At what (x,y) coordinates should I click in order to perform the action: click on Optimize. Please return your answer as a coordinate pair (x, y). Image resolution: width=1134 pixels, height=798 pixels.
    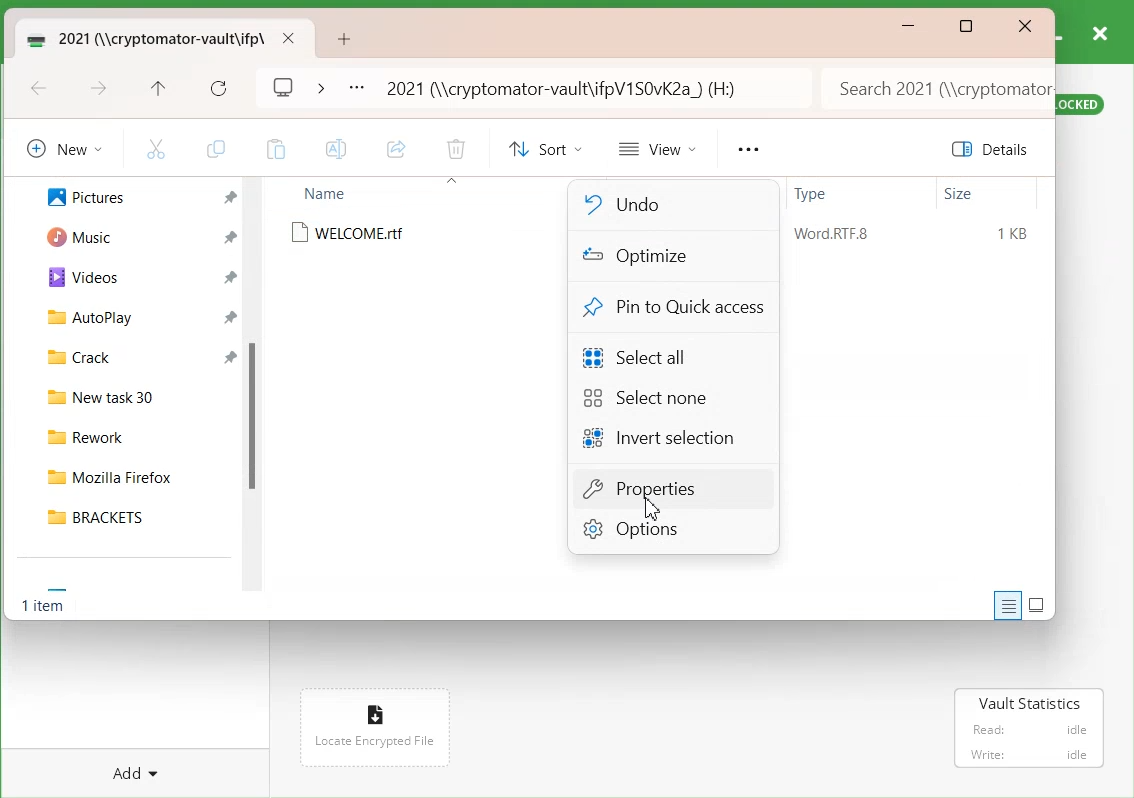
    Looking at the image, I should click on (660, 257).